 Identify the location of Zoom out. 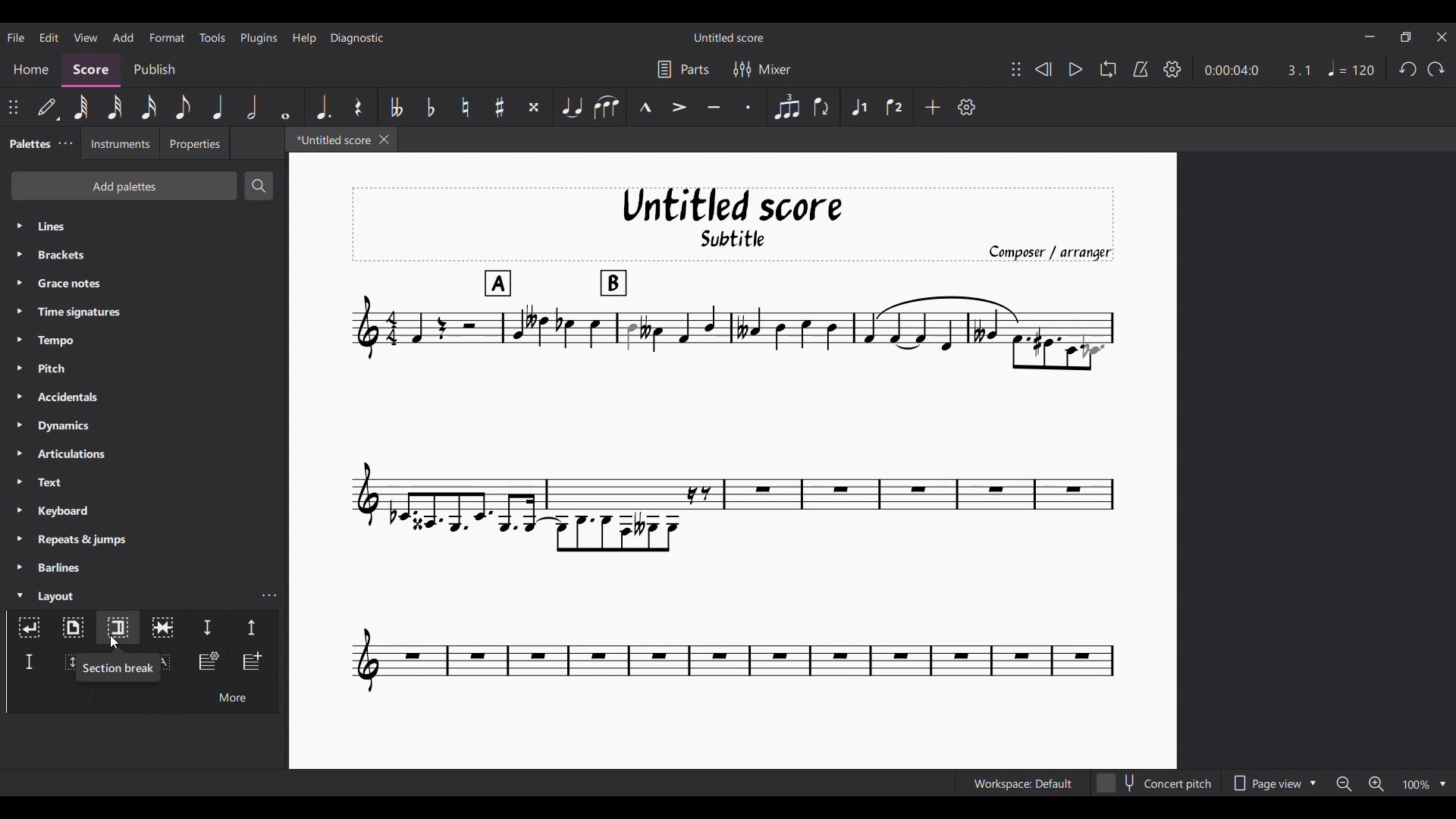
(1345, 783).